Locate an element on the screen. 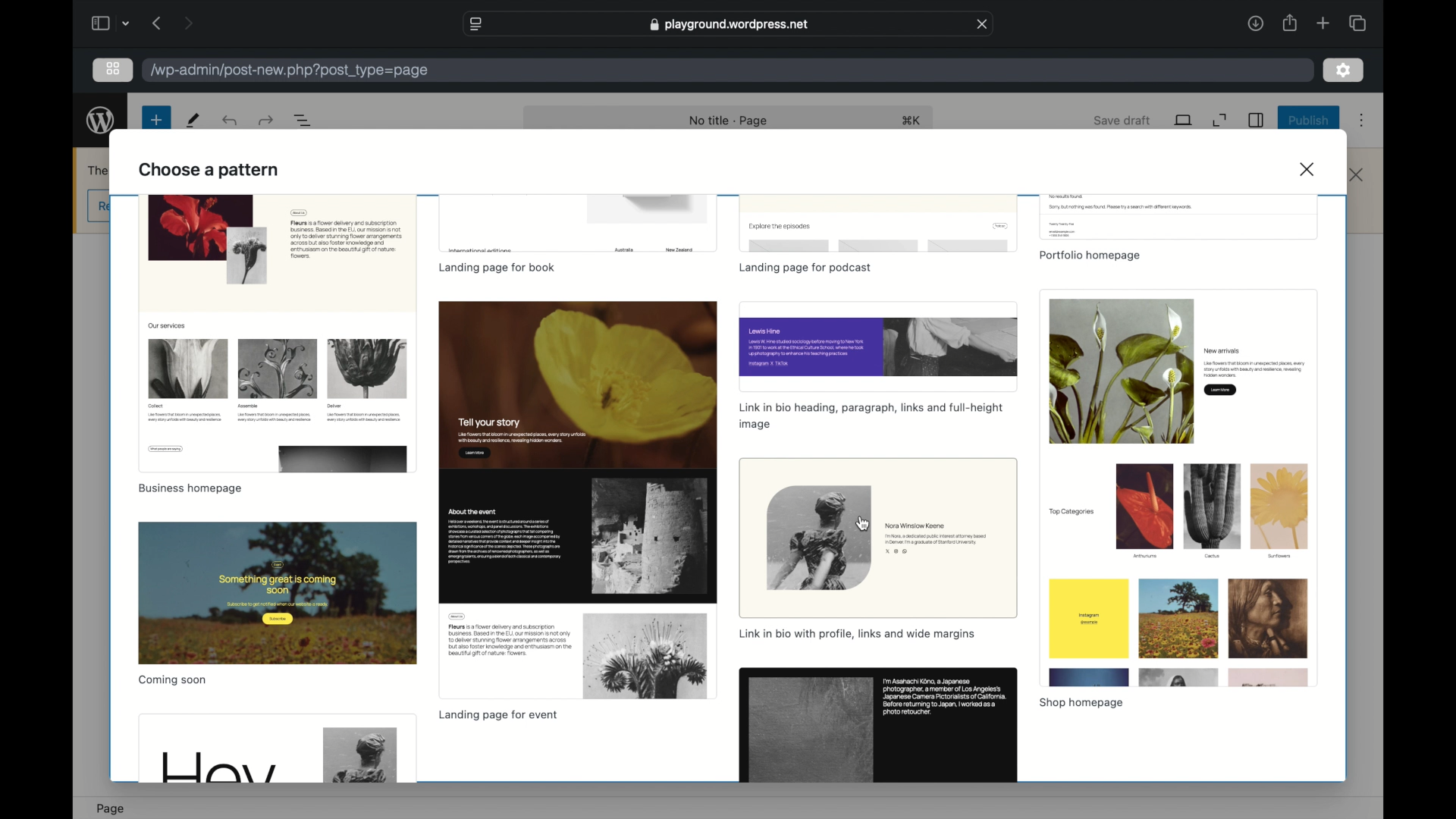 Image resolution: width=1456 pixels, height=819 pixels. ink in bio with profile, links and side margins is located at coordinates (857, 633).